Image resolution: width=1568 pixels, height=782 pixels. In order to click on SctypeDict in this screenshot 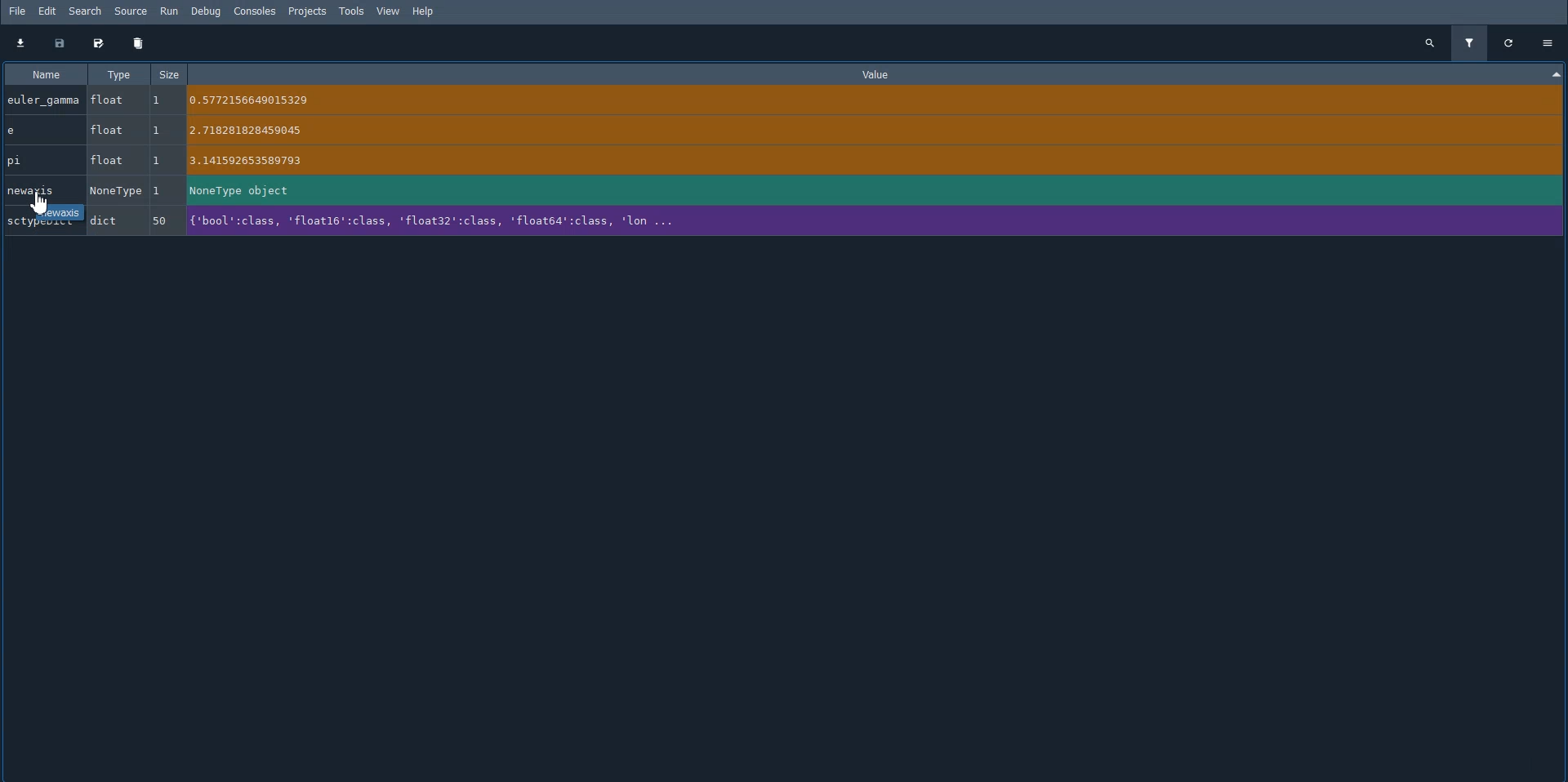, I will do `click(784, 220)`.